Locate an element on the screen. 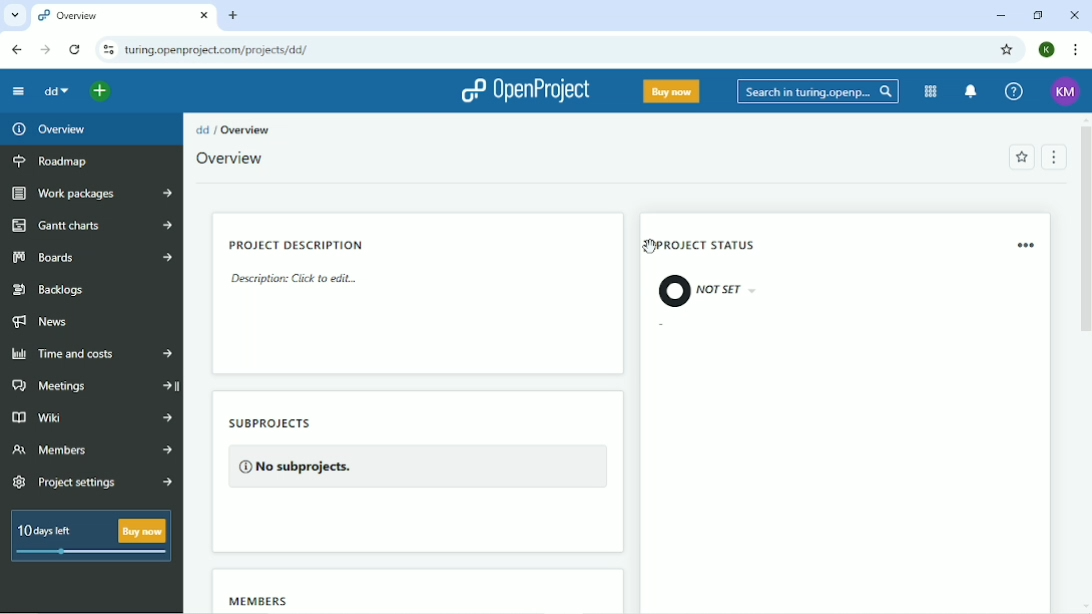  View site information is located at coordinates (107, 50).